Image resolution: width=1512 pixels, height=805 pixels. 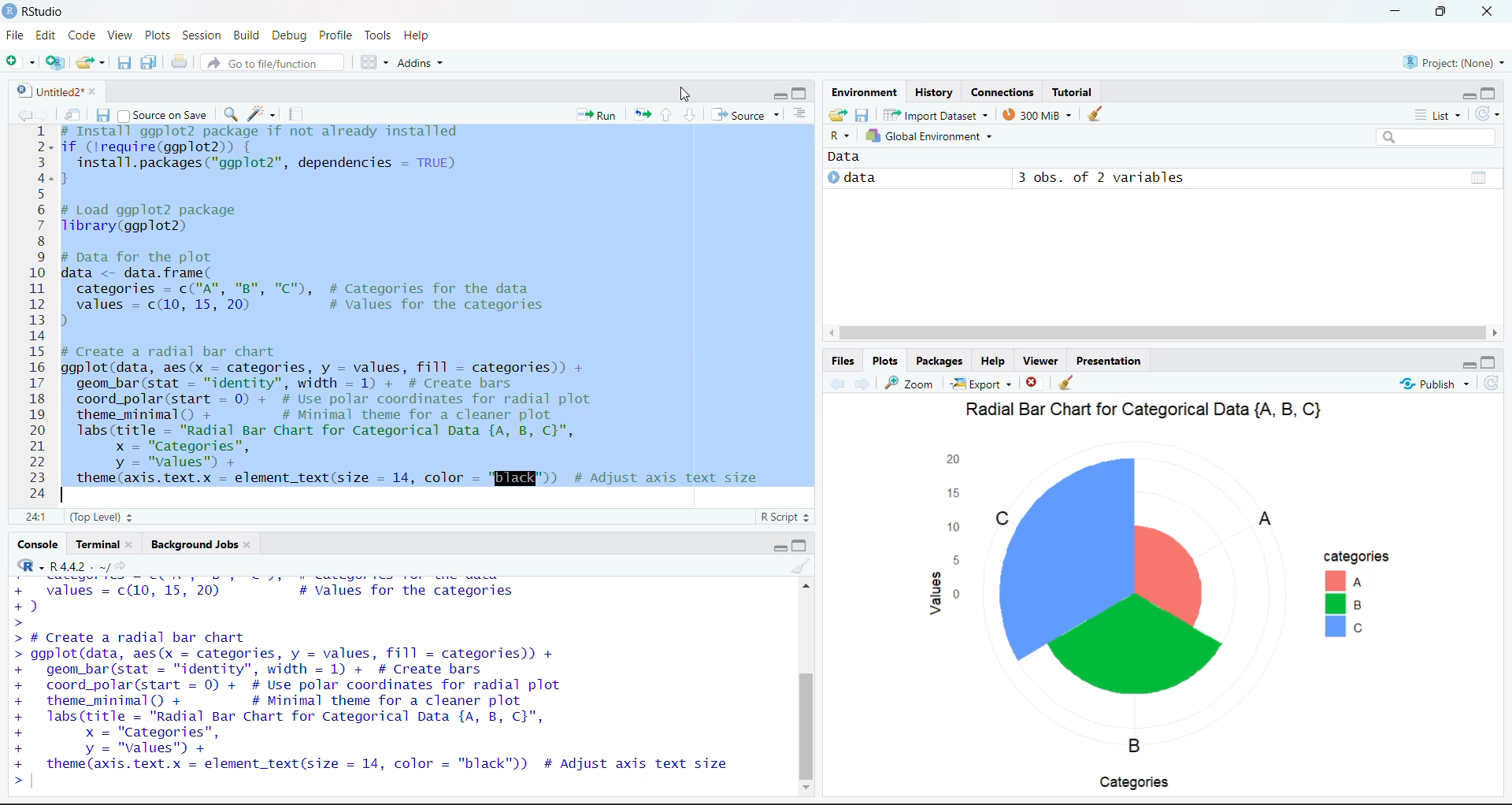 What do you see at coordinates (1032, 382) in the screenshot?
I see `clear current plots` at bounding box center [1032, 382].